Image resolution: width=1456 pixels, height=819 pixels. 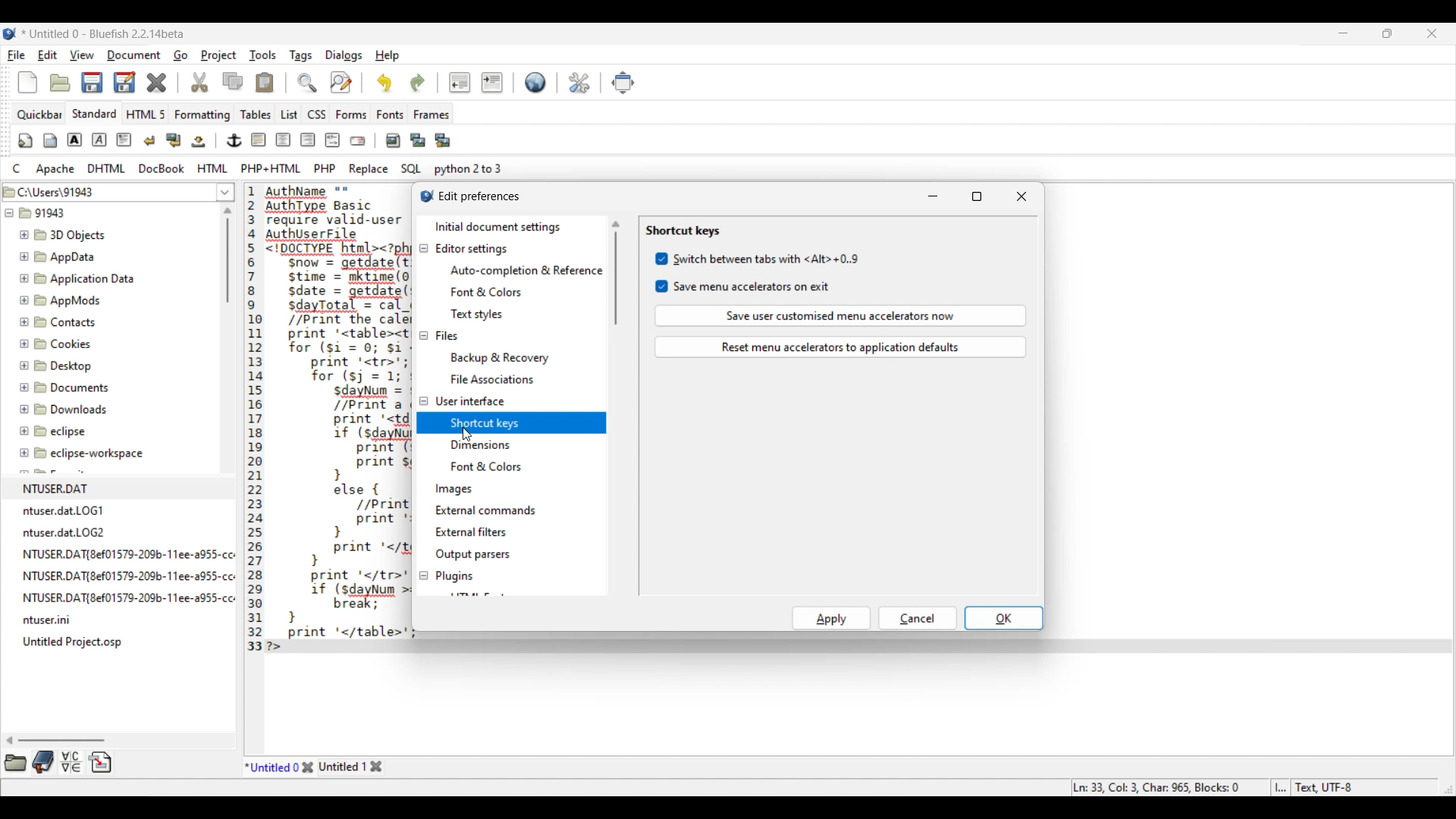 What do you see at coordinates (351, 767) in the screenshot?
I see `Other tab` at bounding box center [351, 767].